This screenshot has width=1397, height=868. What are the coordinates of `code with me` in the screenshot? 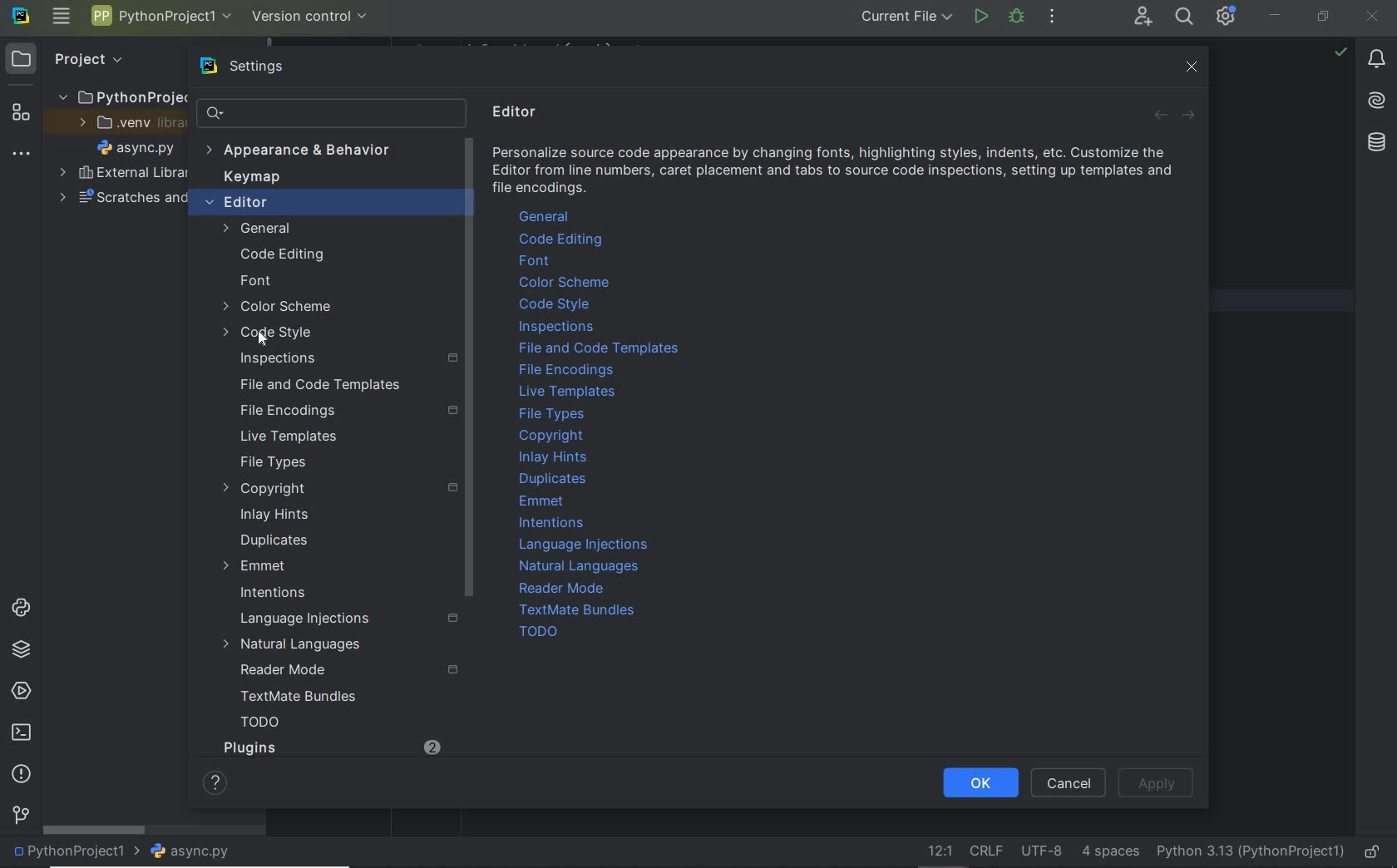 It's located at (1142, 18).